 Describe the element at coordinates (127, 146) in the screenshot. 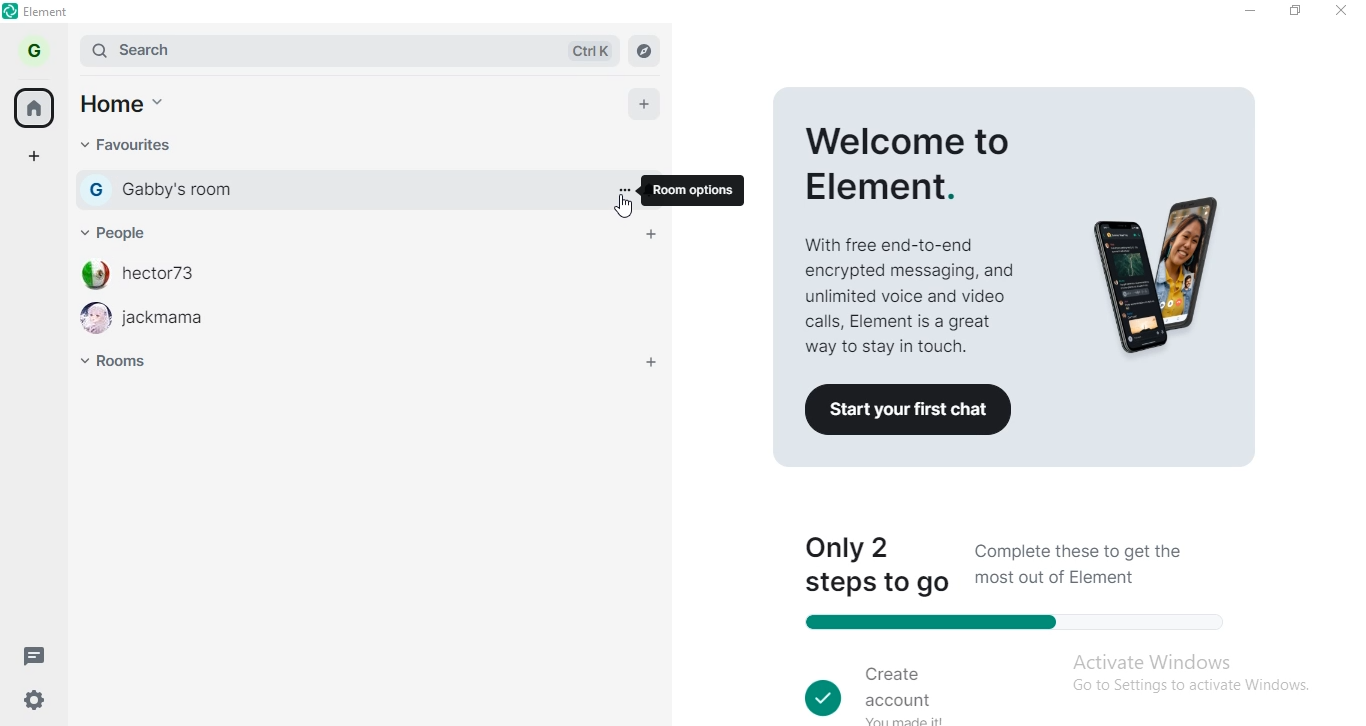

I see `favourites` at that location.